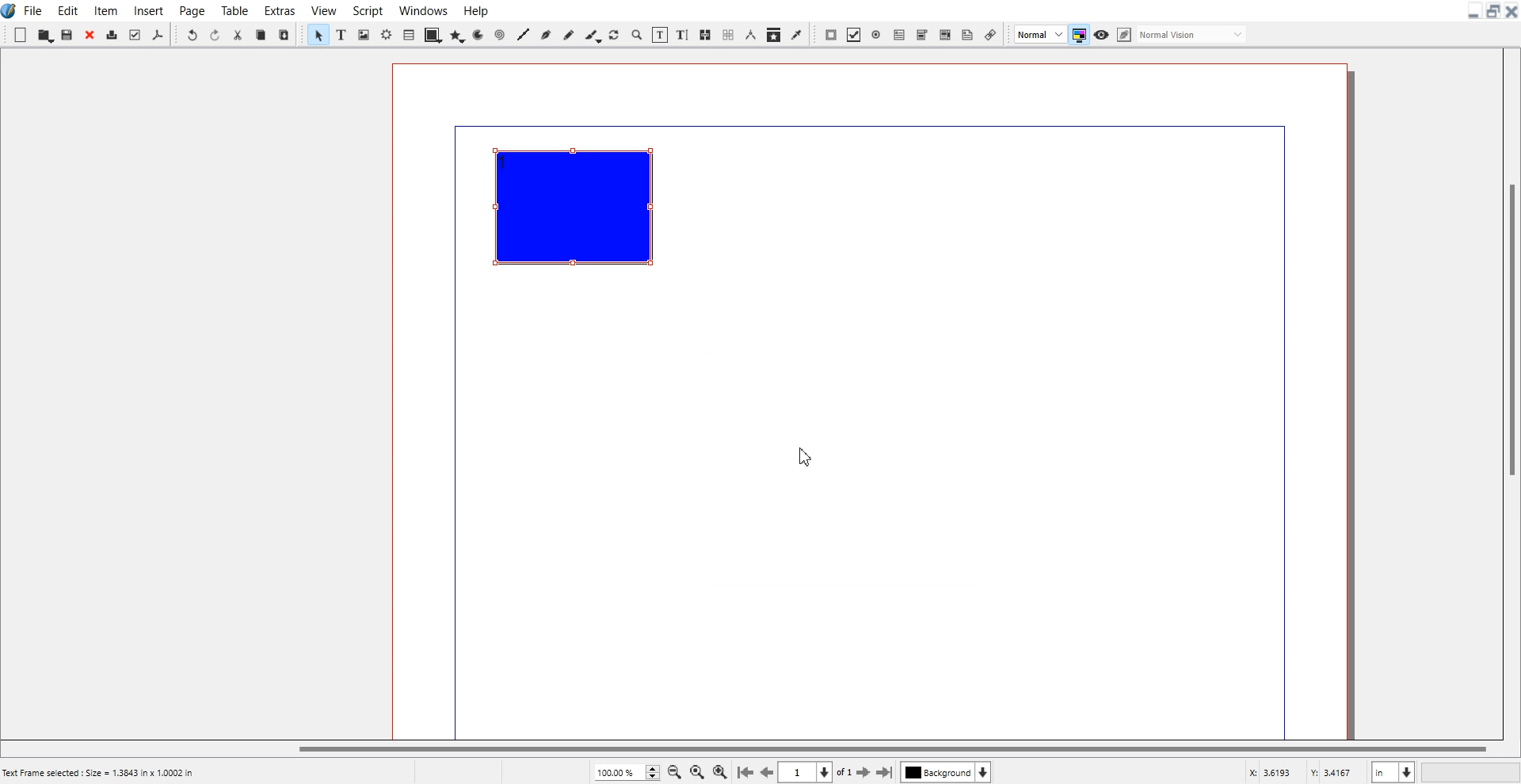 This screenshot has width=1521, height=784. I want to click on Copy item Properties, so click(773, 34).